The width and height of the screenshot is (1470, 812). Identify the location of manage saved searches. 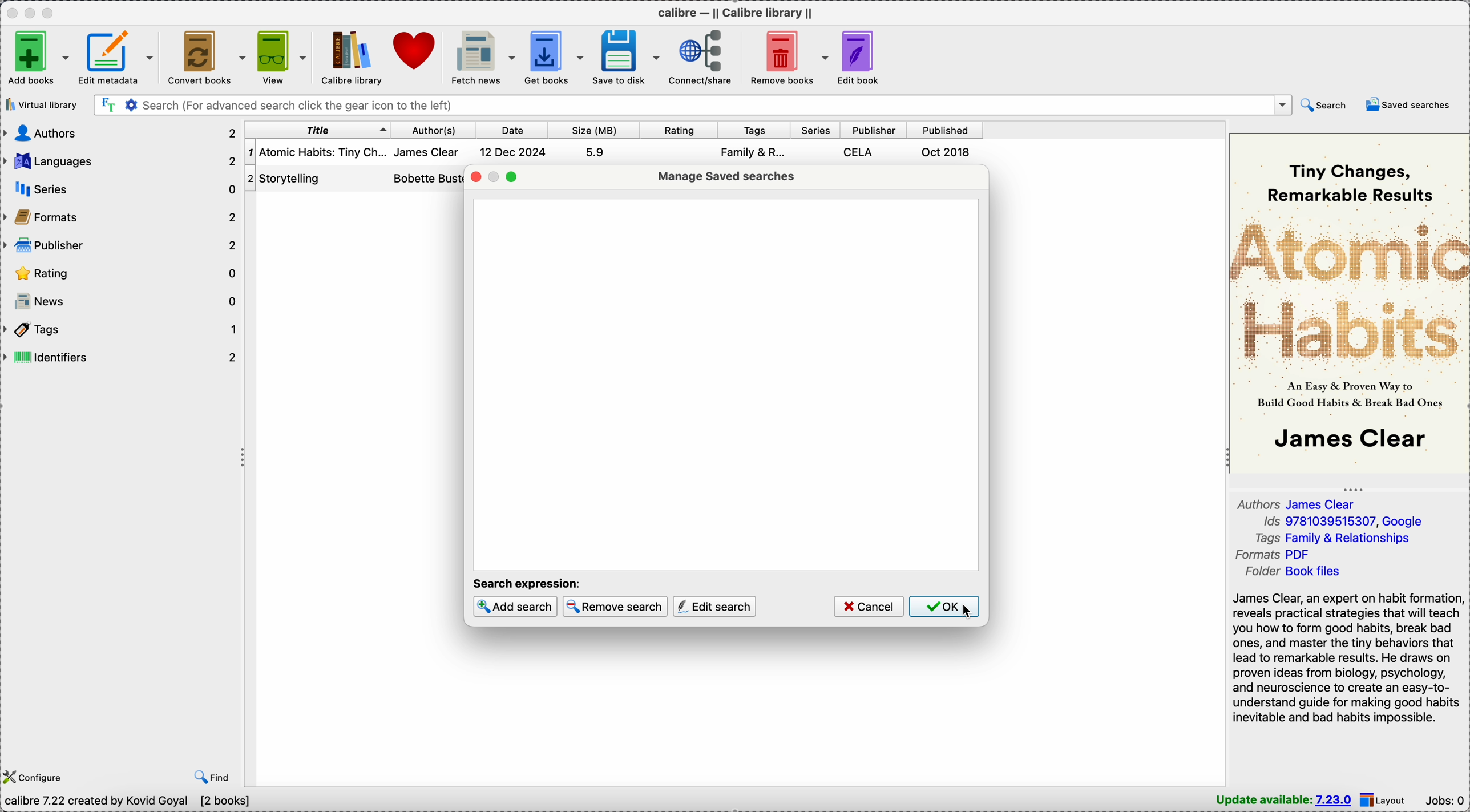
(726, 177).